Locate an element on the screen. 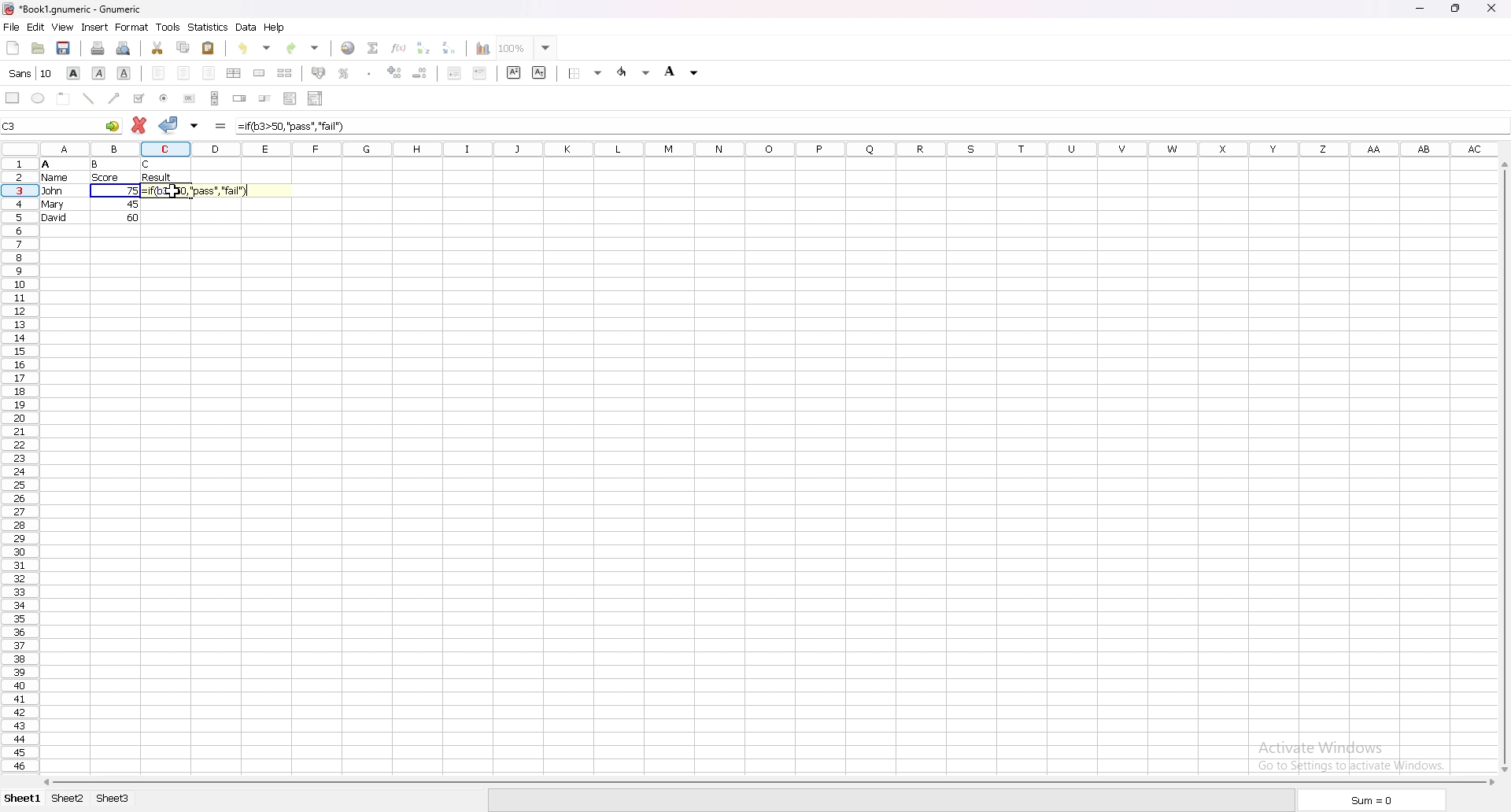  accept change in multiple cells is located at coordinates (196, 126).